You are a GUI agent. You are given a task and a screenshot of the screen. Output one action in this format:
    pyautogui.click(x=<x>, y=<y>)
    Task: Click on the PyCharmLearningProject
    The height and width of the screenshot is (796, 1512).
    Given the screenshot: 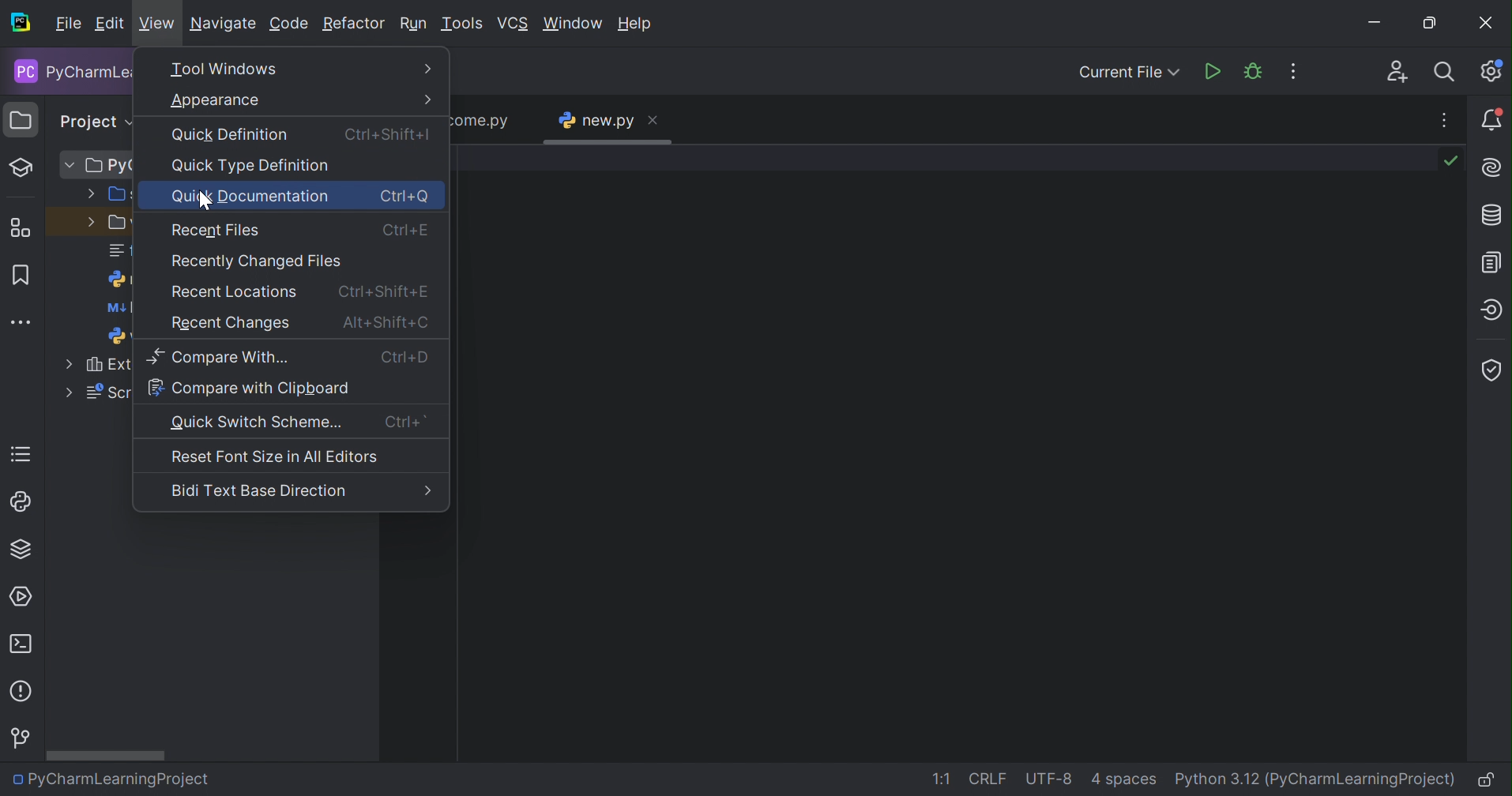 What is the action you would take?
    pyautogui.click(x=68, y=70)
    